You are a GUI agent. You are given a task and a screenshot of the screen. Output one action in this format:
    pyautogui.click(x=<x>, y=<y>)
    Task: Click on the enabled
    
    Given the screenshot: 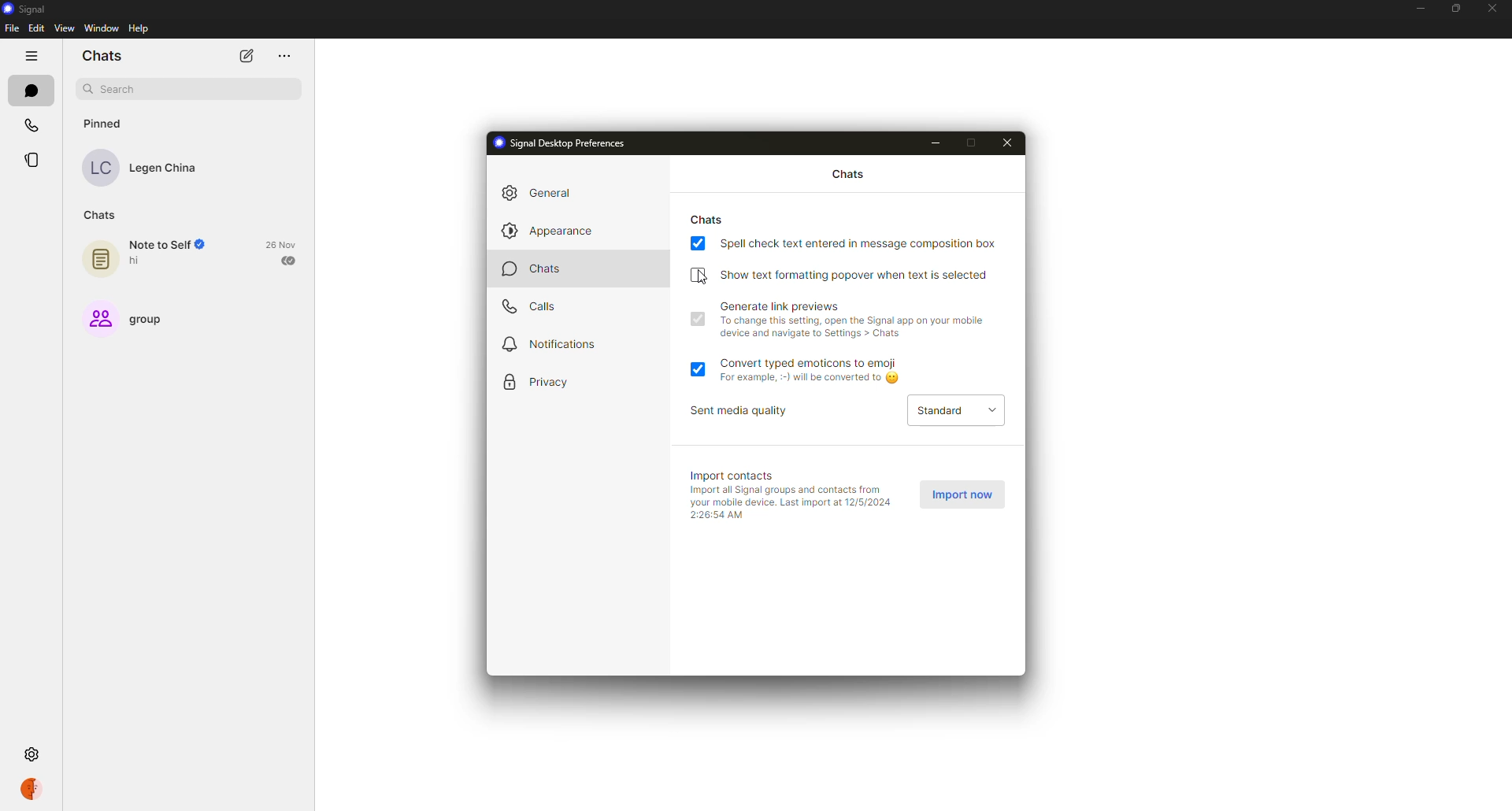 What is the action you would take?
    pyautogui.click(x=697, y=319)
    